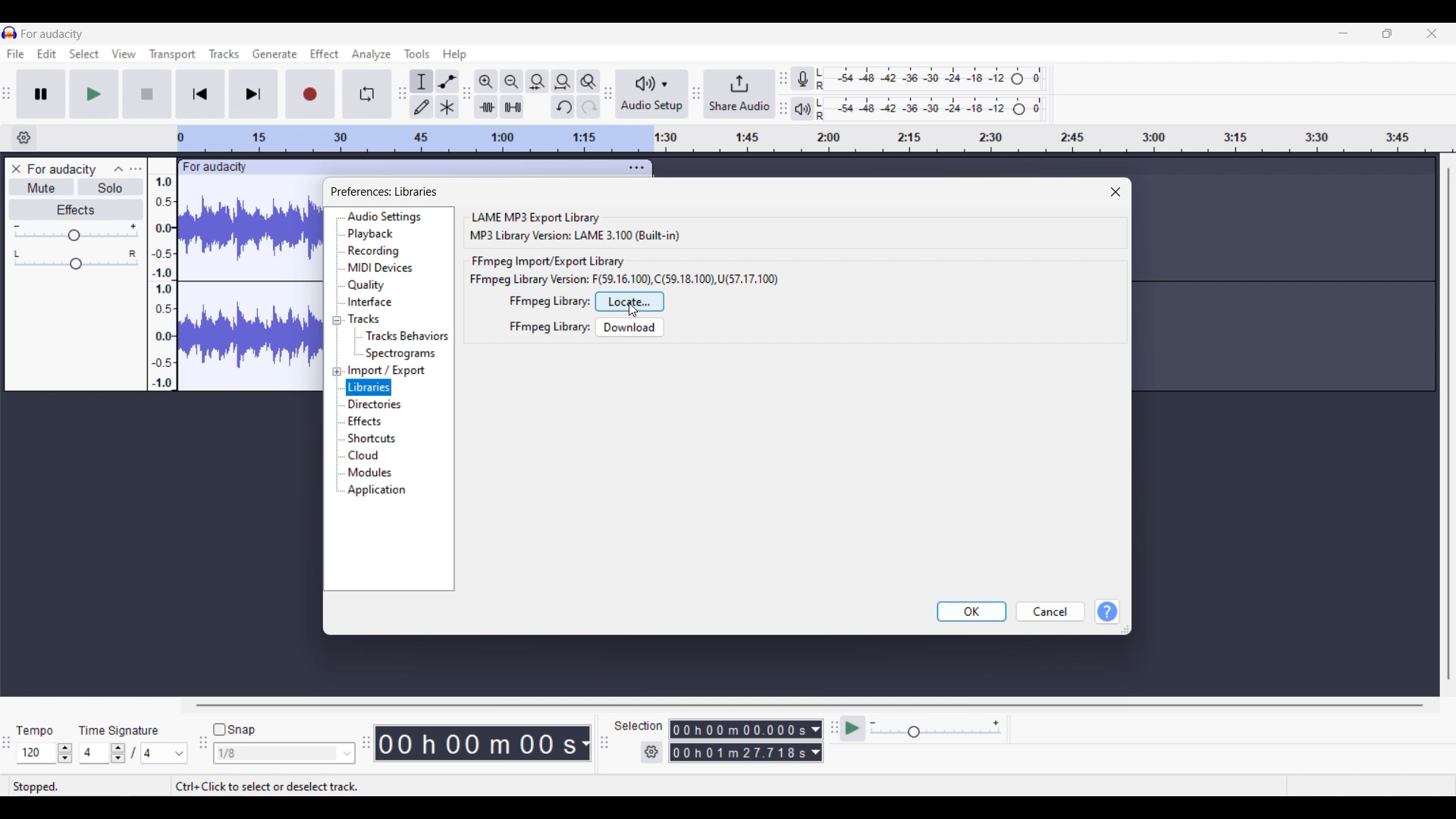 This screenshot has height=819, width=1456. Describe the element at coordinates (267, 786) in the screenshot. I see `ctrl+click to select or deselect track` at that location.